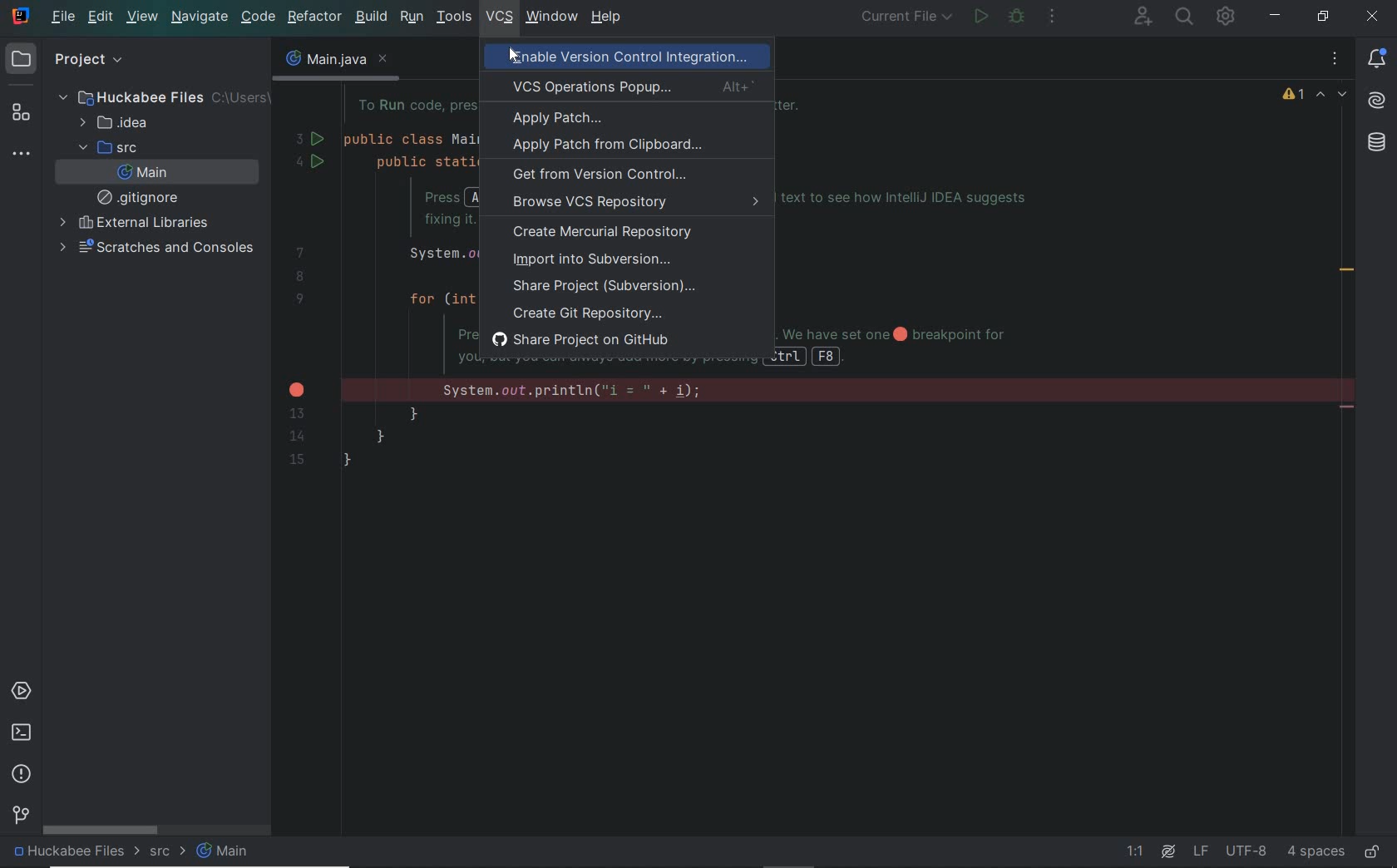 Image resolution: width=1397 pixels, height=868 pixels. What do you see at coordinates (1296, 97) in the screenshot?
I see `1 warning` at bounding box center [1296, 97].